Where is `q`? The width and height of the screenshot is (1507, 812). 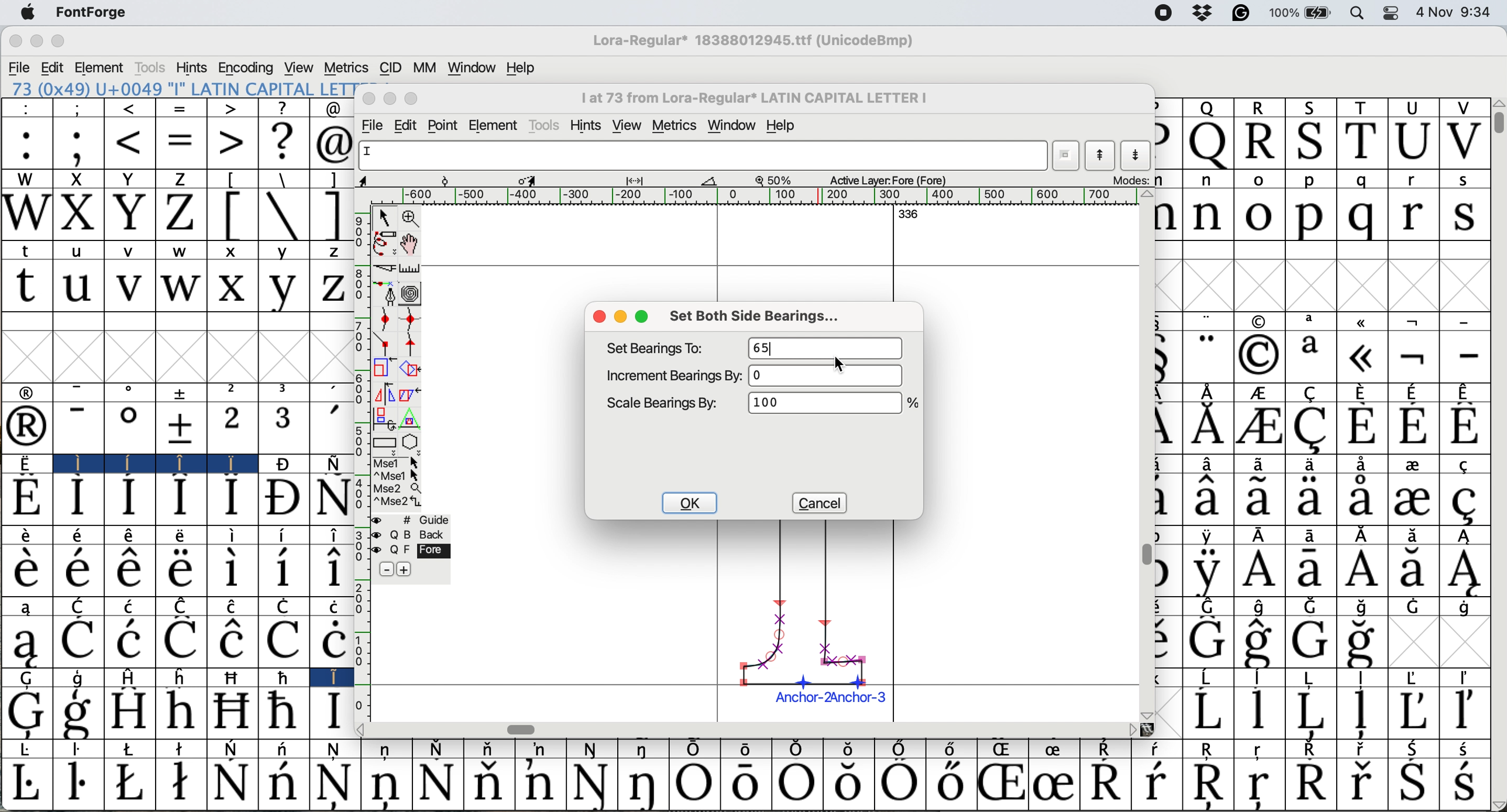
q is located at coordinates (1357, 217).